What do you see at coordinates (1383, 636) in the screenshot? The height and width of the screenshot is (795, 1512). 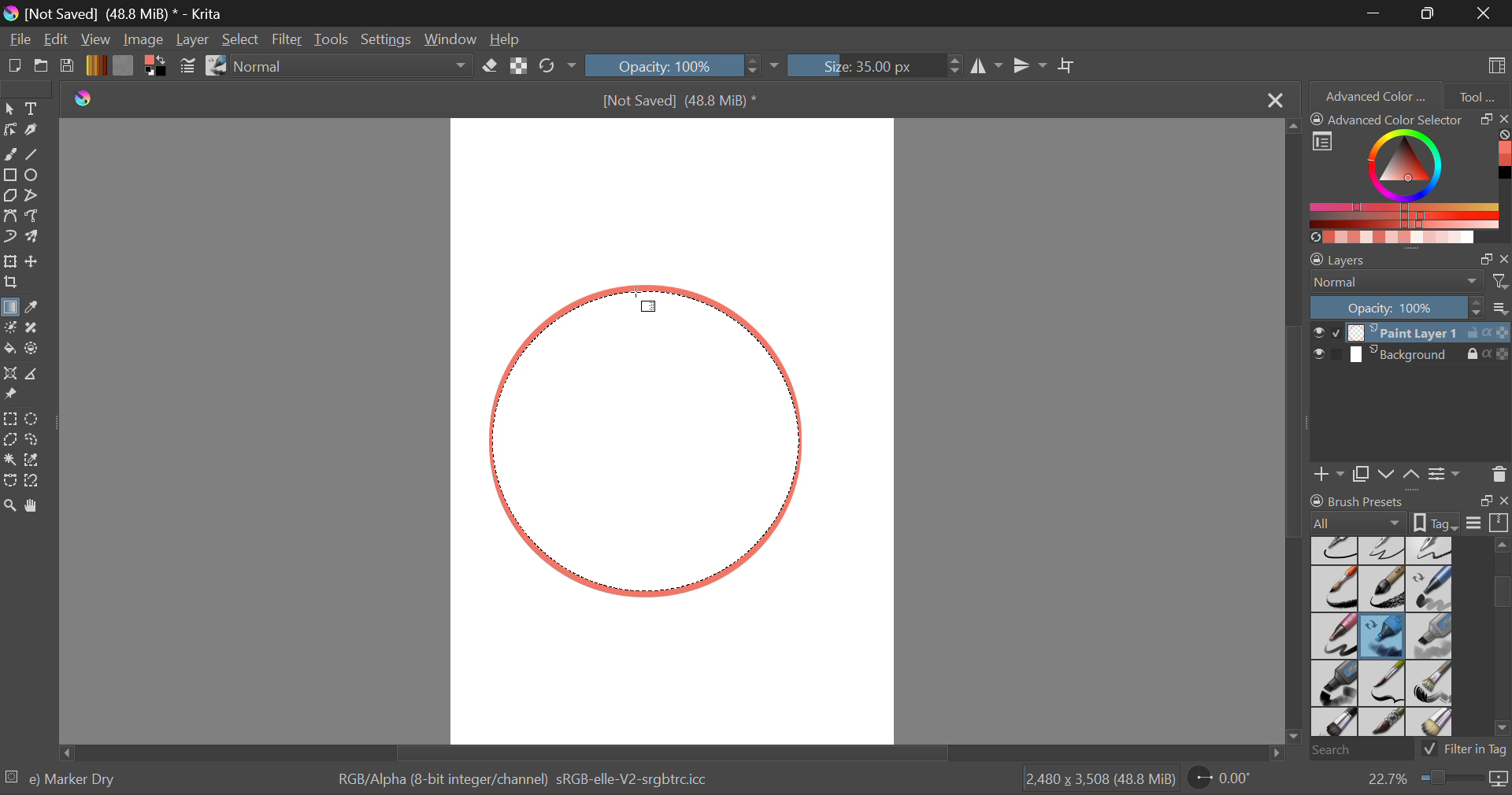 I see `Marker Dry` at bounding box center [1383, 636].